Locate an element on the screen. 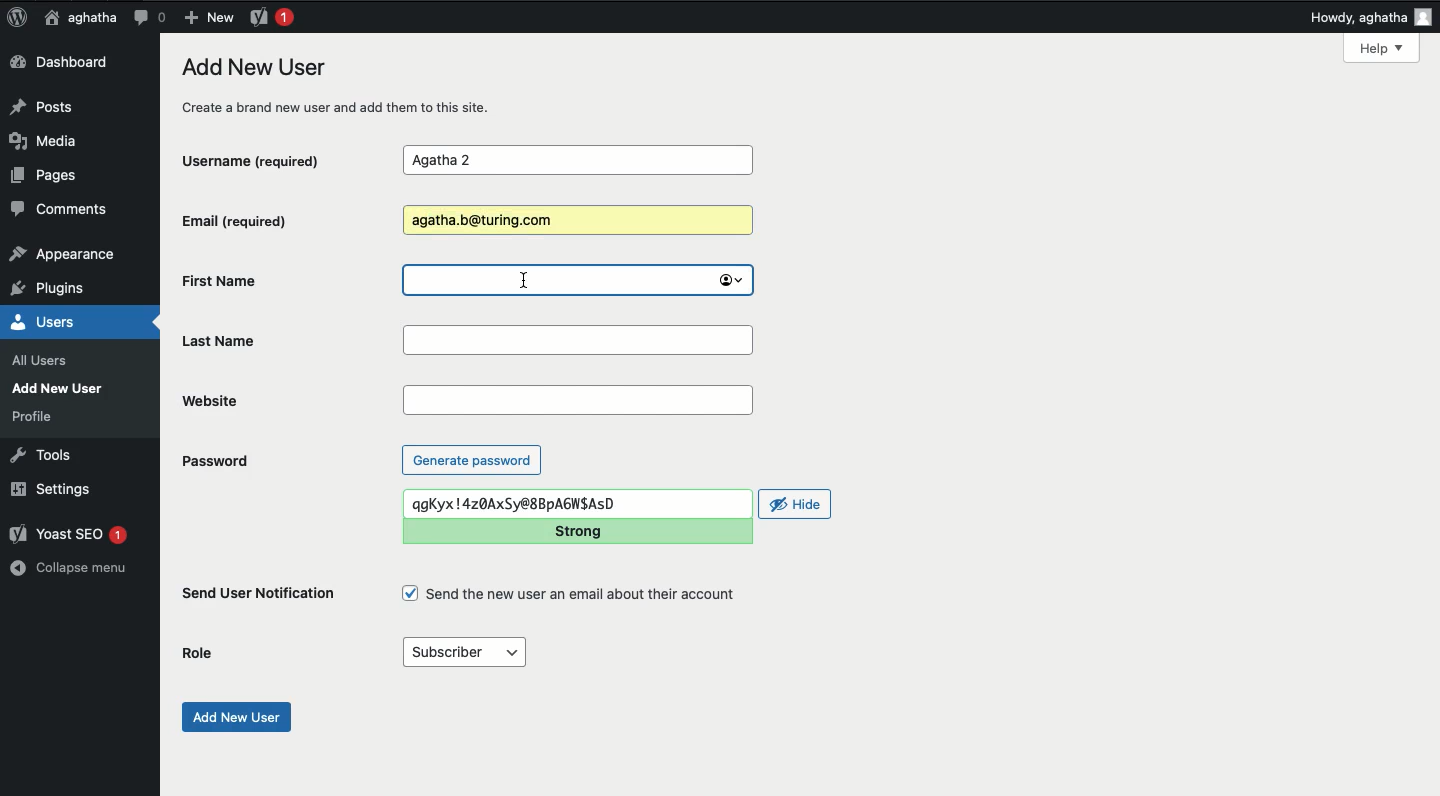 The height and width of the screenshot is (796, 1440). Add New User is located at coordinates (61, 388).